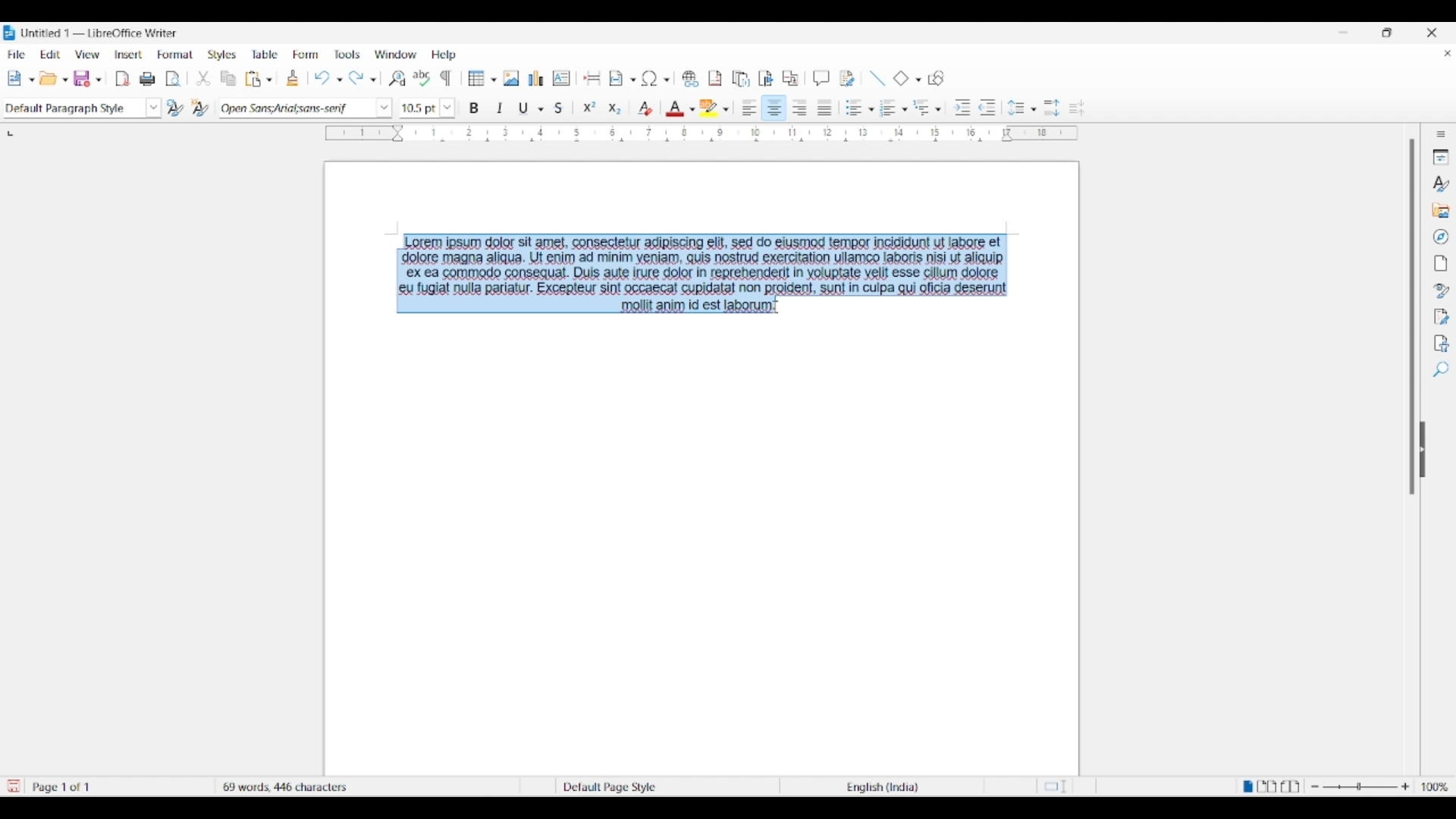 Image resolution: width=1456 pixels, height=819 pixels. I want to click on View, so click(88, 55).